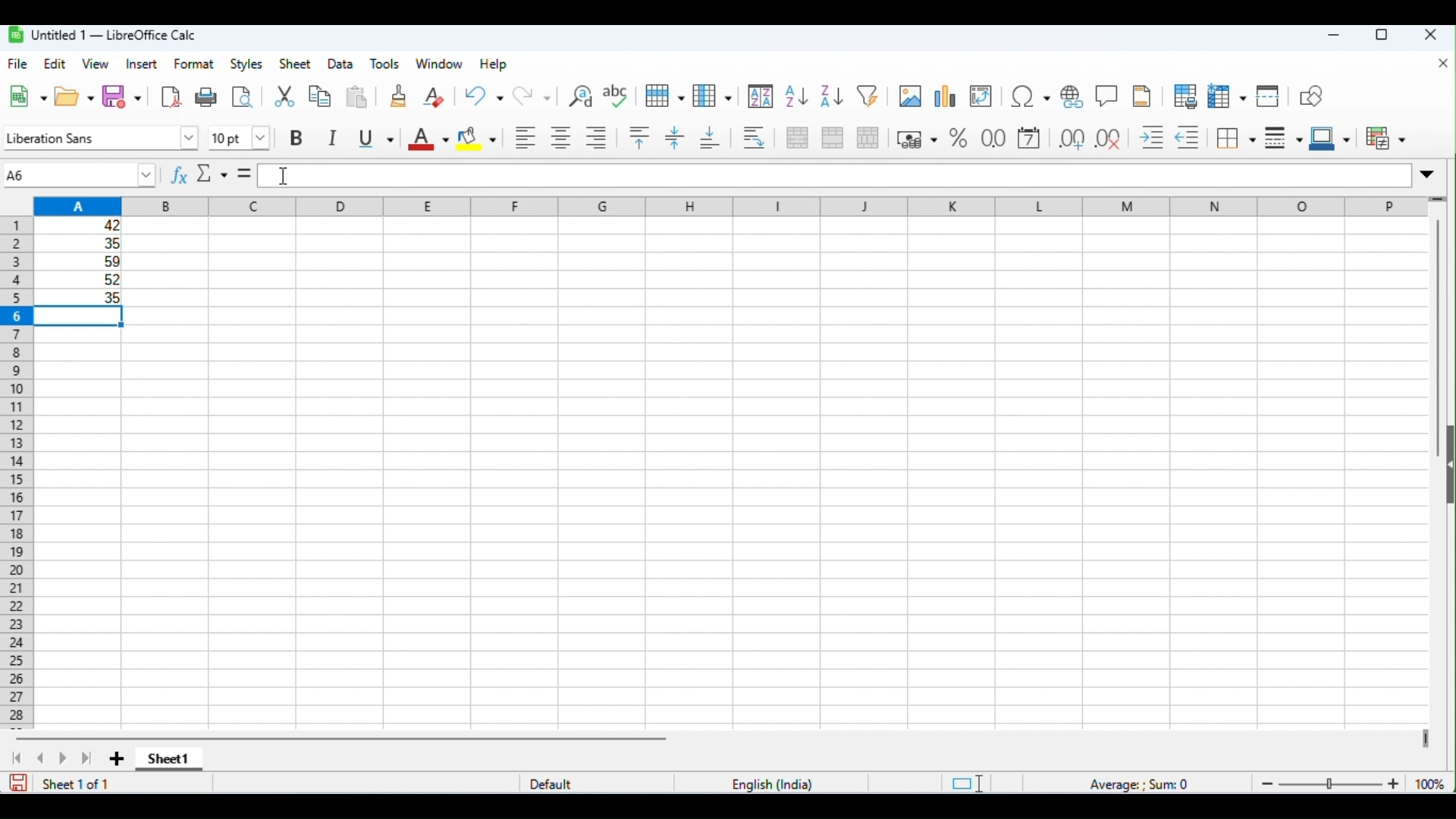  Describe the element at coordinates (1352, 783) in the screenshot. I see `zoom` at that location.